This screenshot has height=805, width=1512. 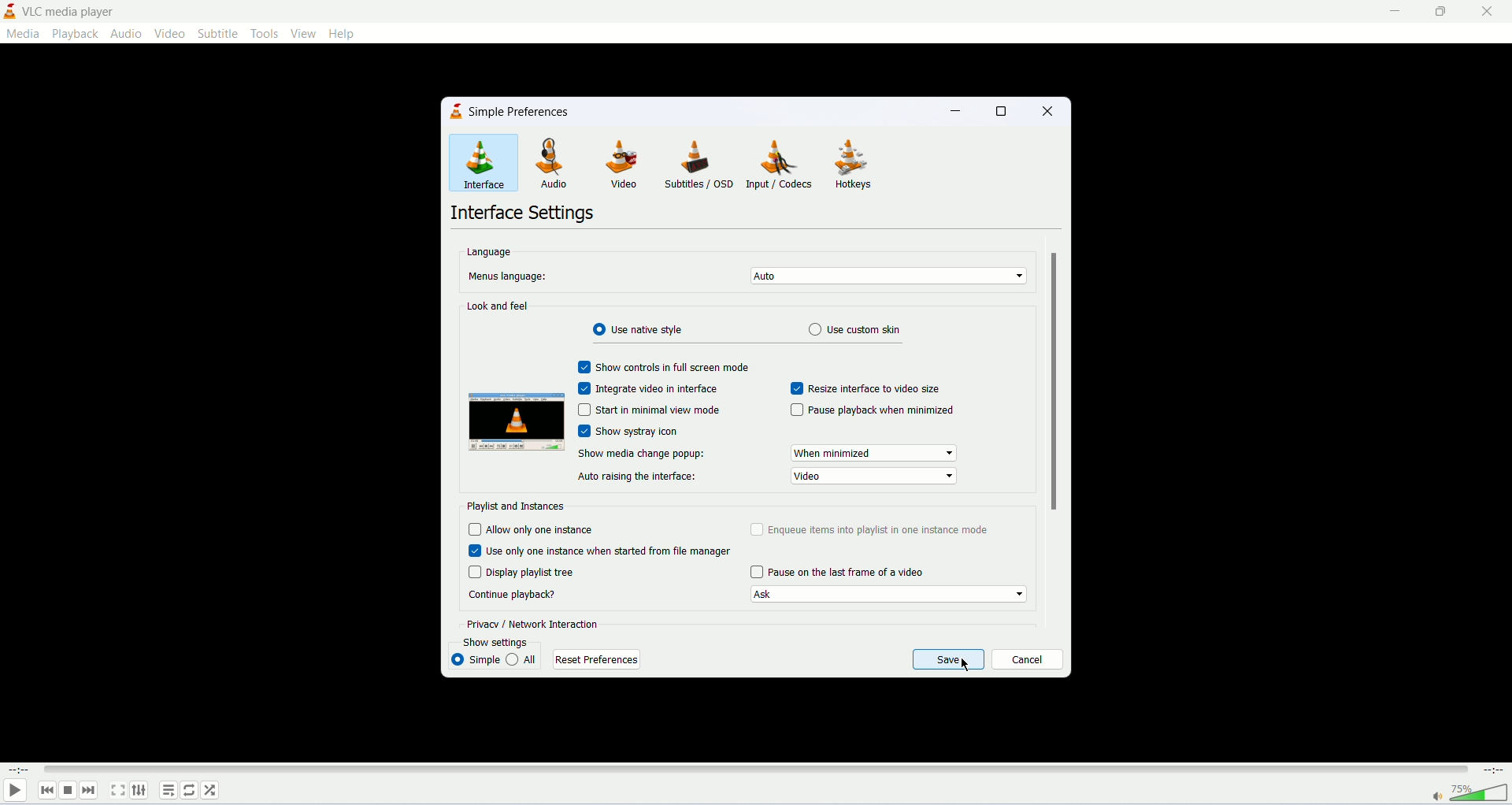 What do you see at coordinates (496, 642) in the screenshot?
I see `show settings` at bounding box center [496, 642].